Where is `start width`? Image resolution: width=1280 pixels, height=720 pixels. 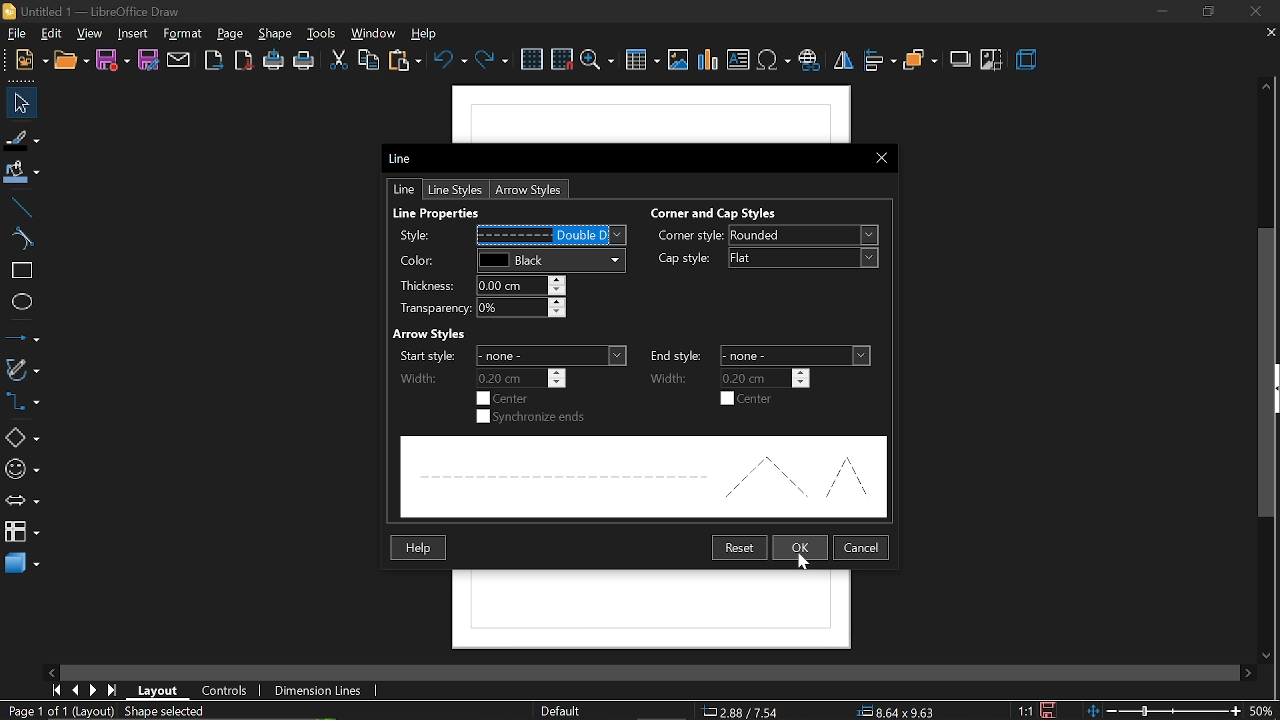
start width is located at coordinates (478, 376).